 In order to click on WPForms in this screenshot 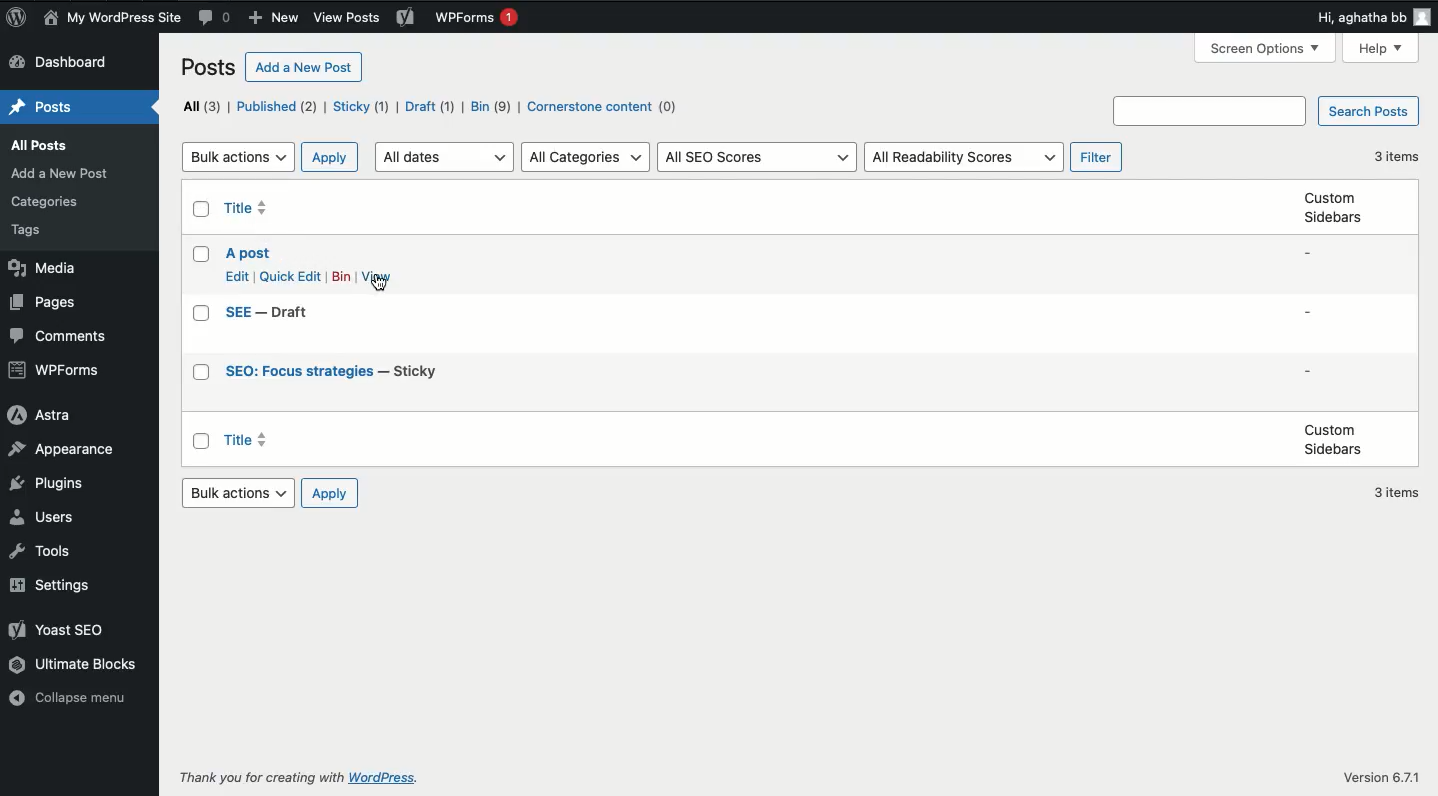, I will do `click(484, 20)`.